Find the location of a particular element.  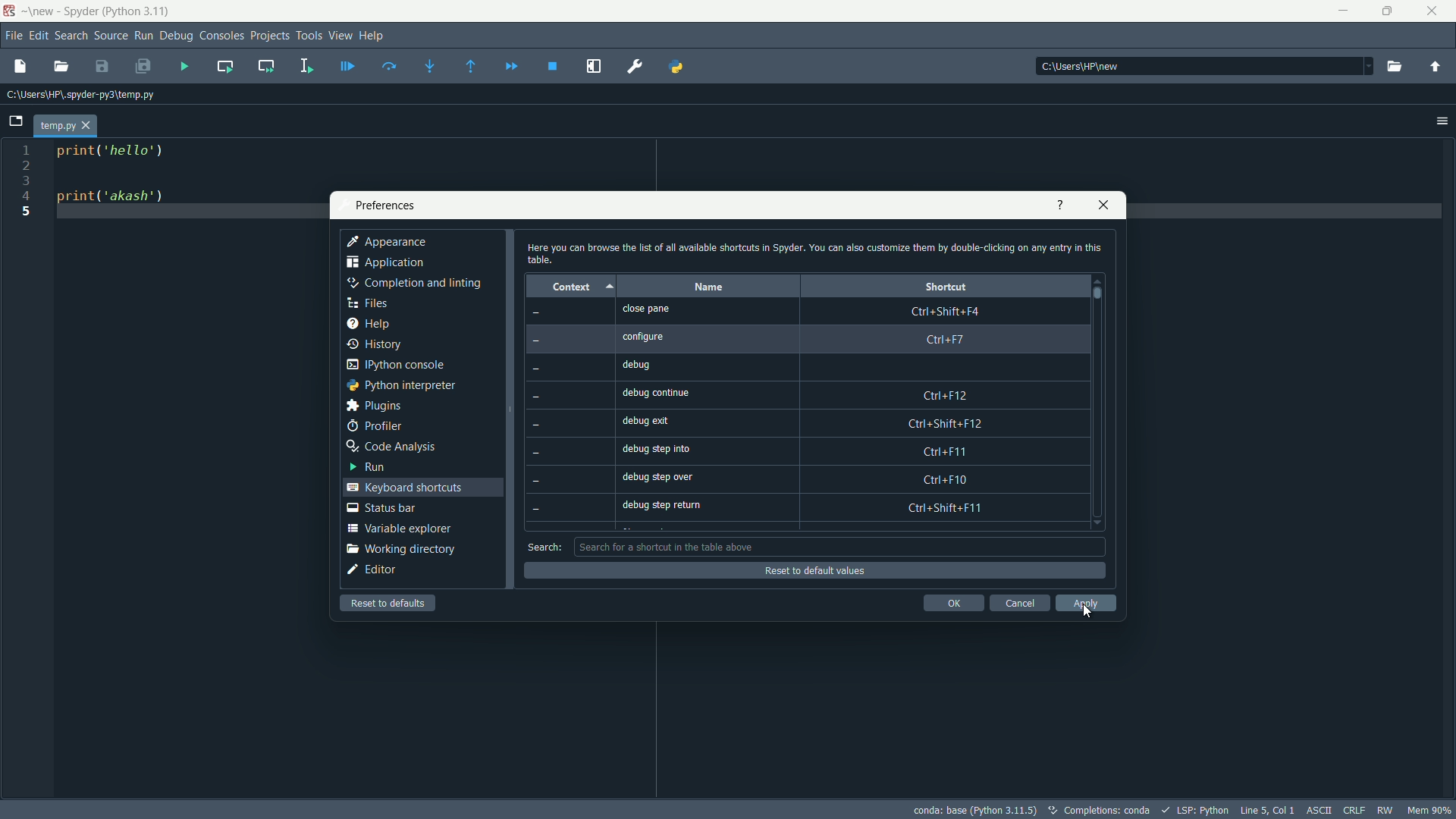

code editor is located at coordinates (111, 177).